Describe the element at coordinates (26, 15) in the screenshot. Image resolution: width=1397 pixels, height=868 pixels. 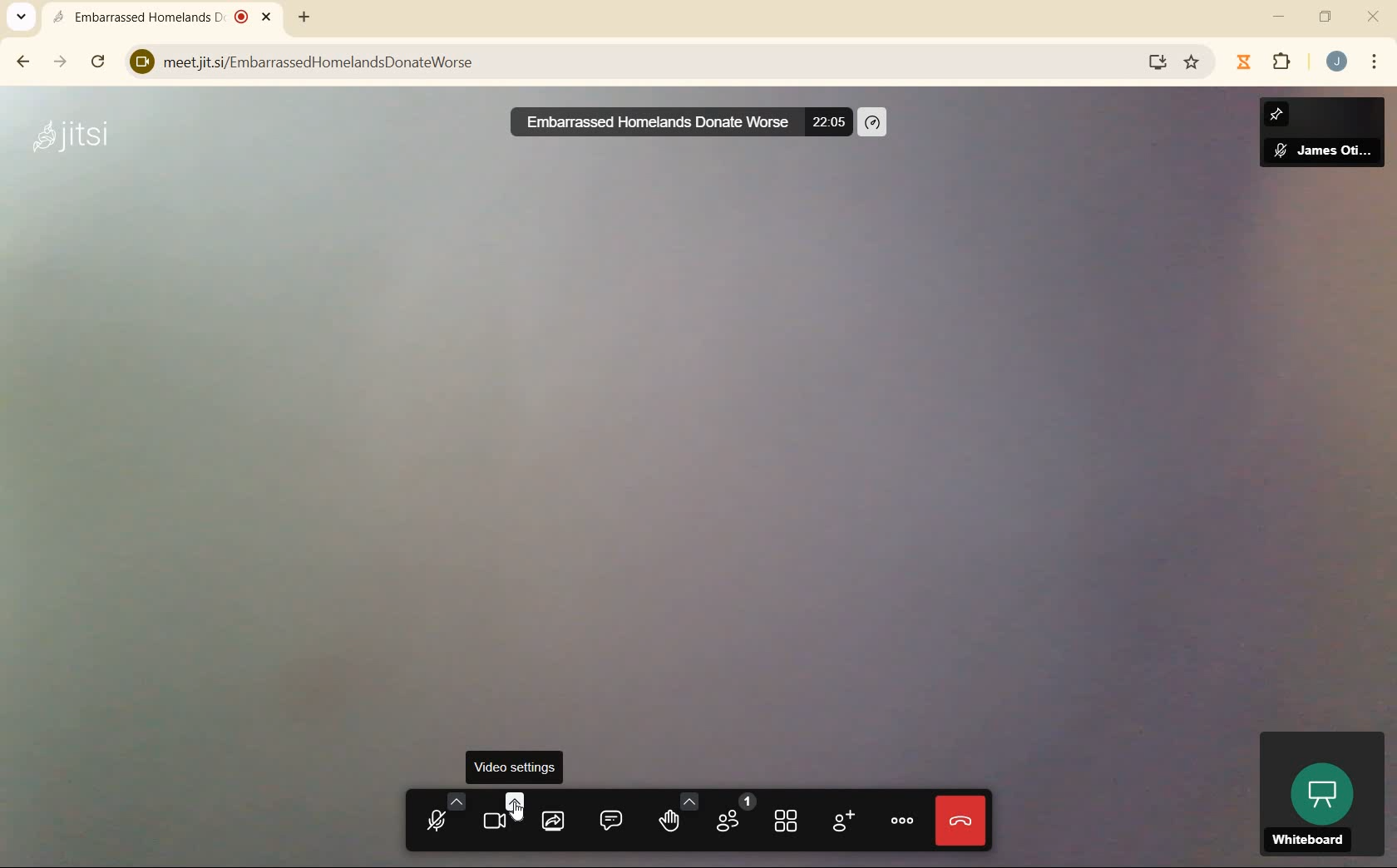
I see `search tabs` at that location.